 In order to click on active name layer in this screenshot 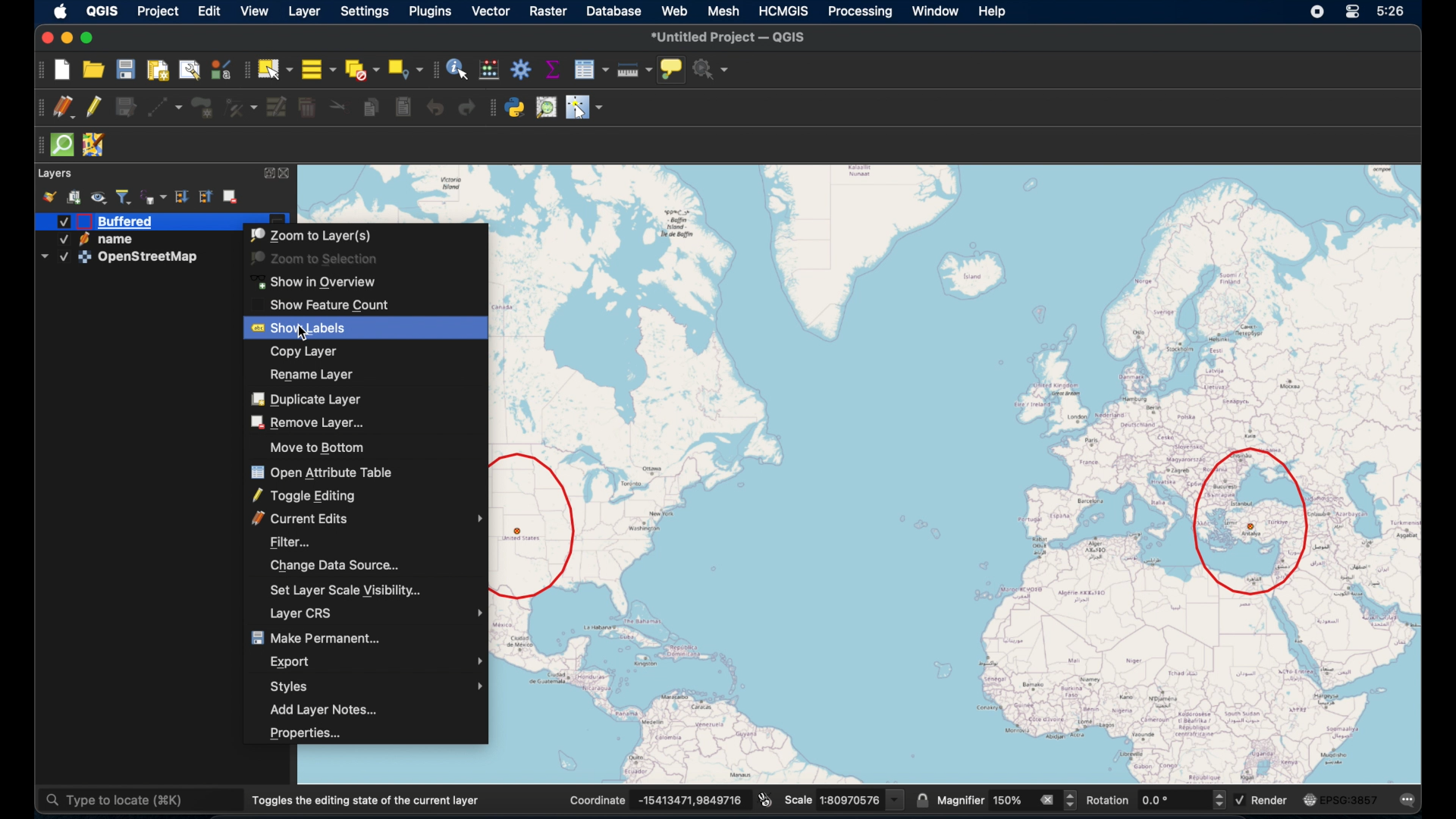, I will do `click(93, 239)`.